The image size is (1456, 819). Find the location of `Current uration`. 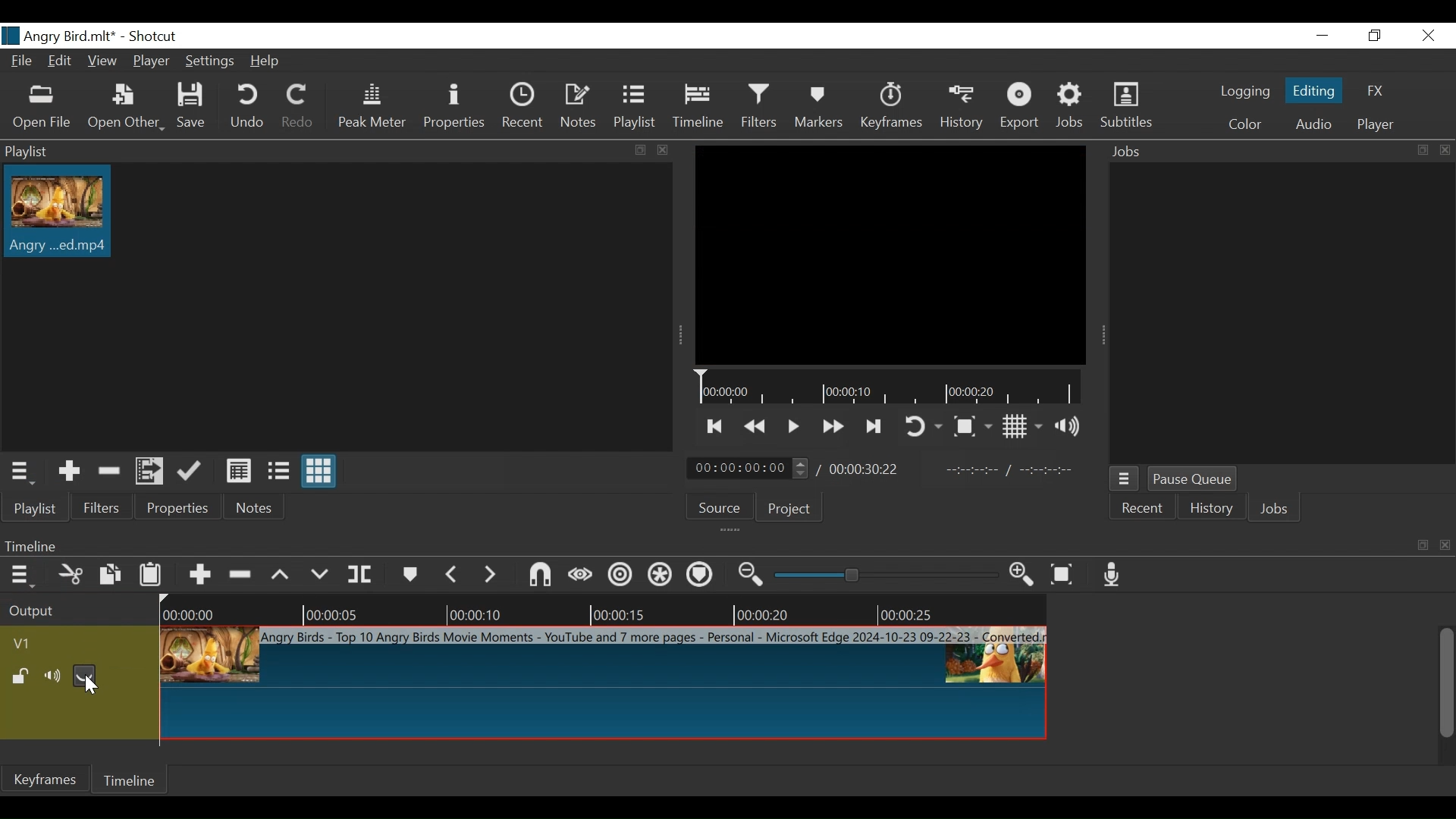

Current uration is located at coordinates (748, 467).